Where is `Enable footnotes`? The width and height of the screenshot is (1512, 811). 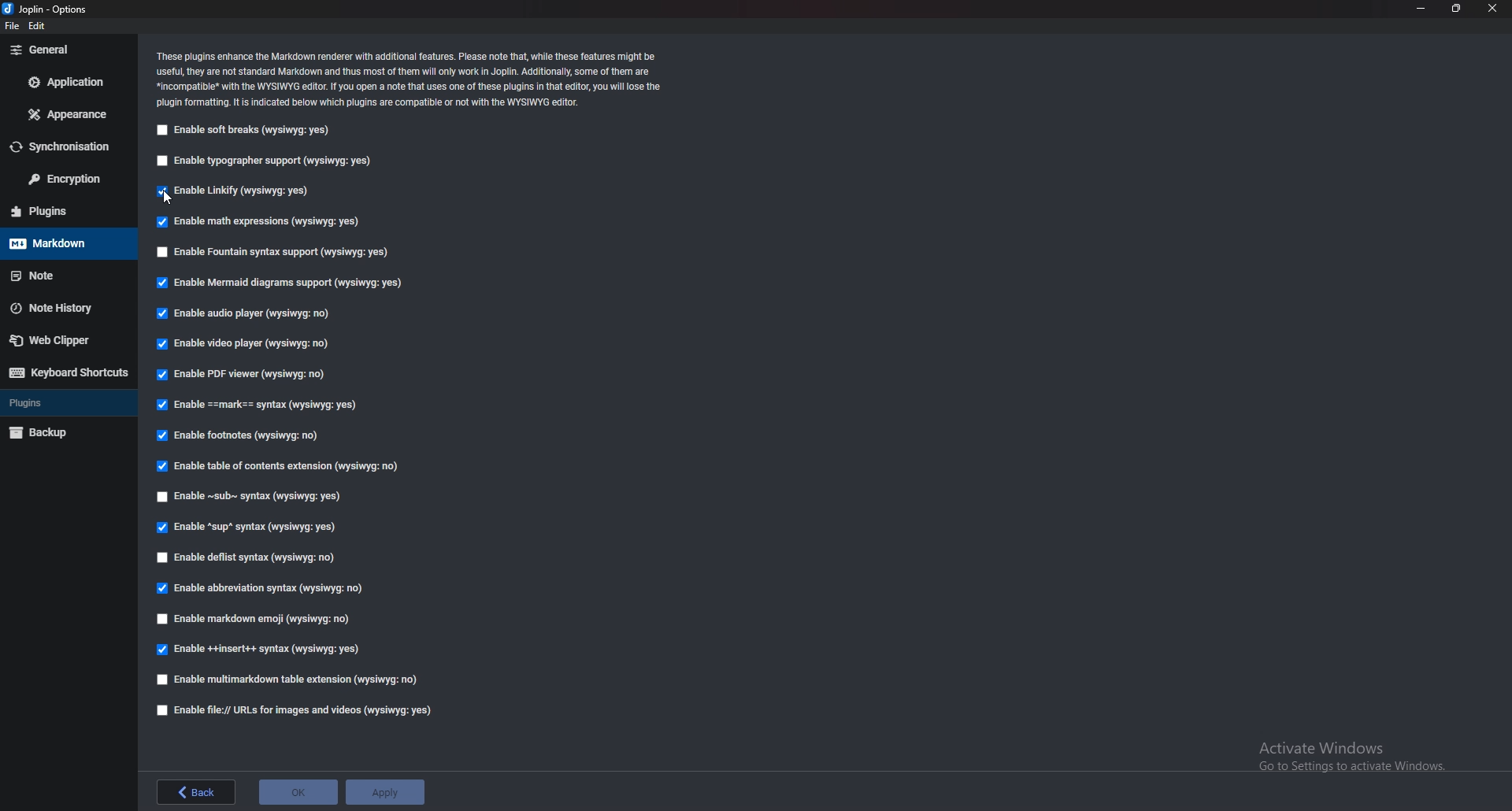
Enable footnotes is located at coordinates (239, 436).